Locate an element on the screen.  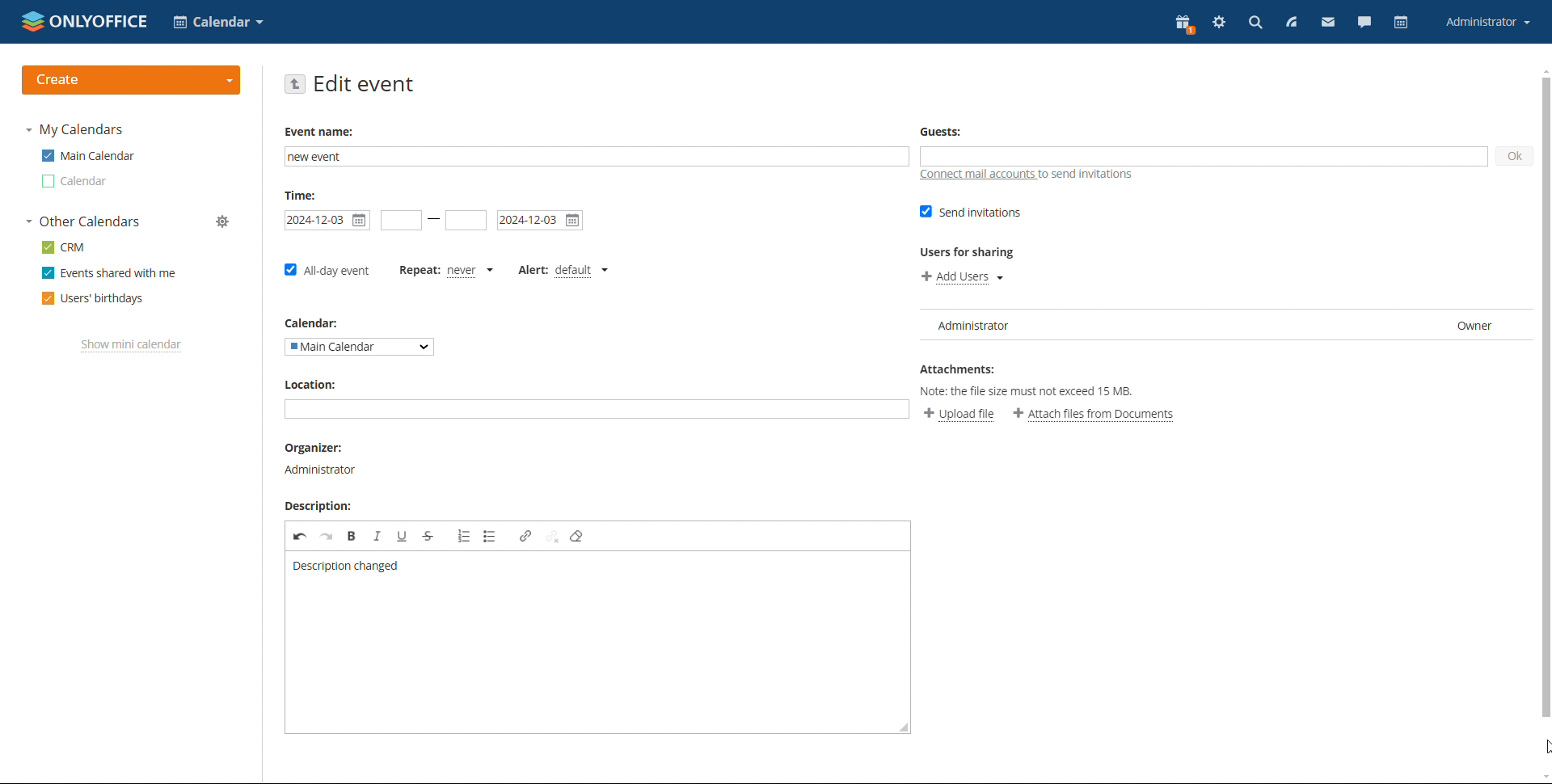
settings is located at coordinates (1219, 23).